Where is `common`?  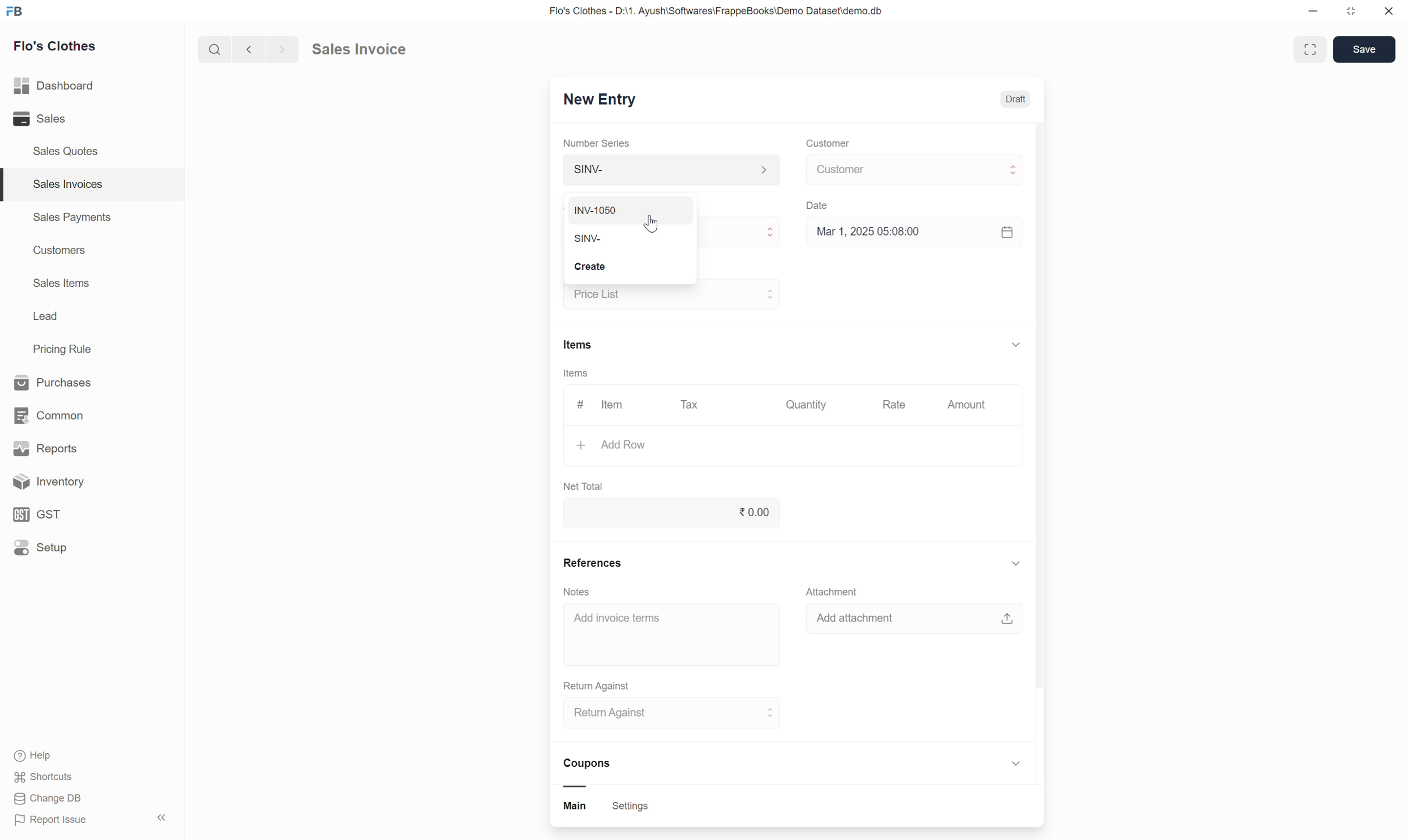 common is located at coordinates (74, 413).